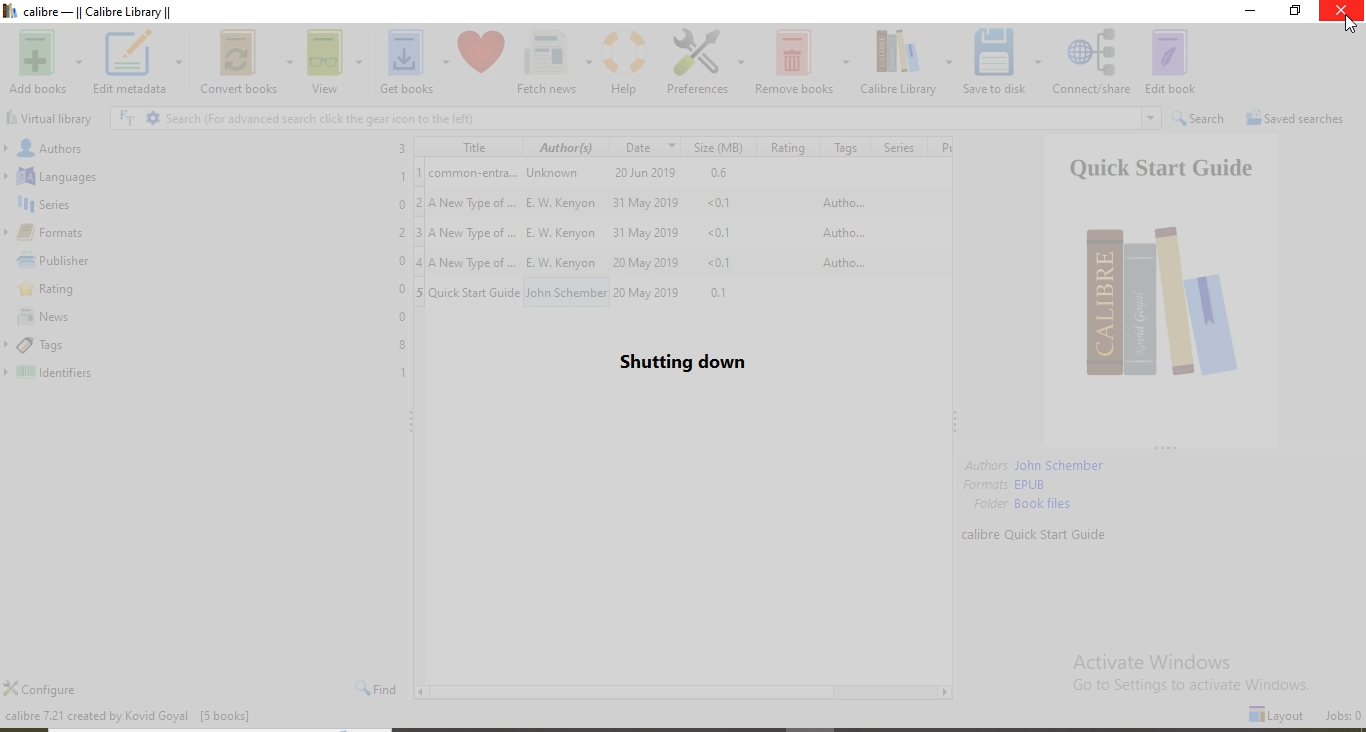 This screenshot has width=1366, height=732. Describe the element at coordinates (785, 147) in the screenshot. I see `Rating` at that location.